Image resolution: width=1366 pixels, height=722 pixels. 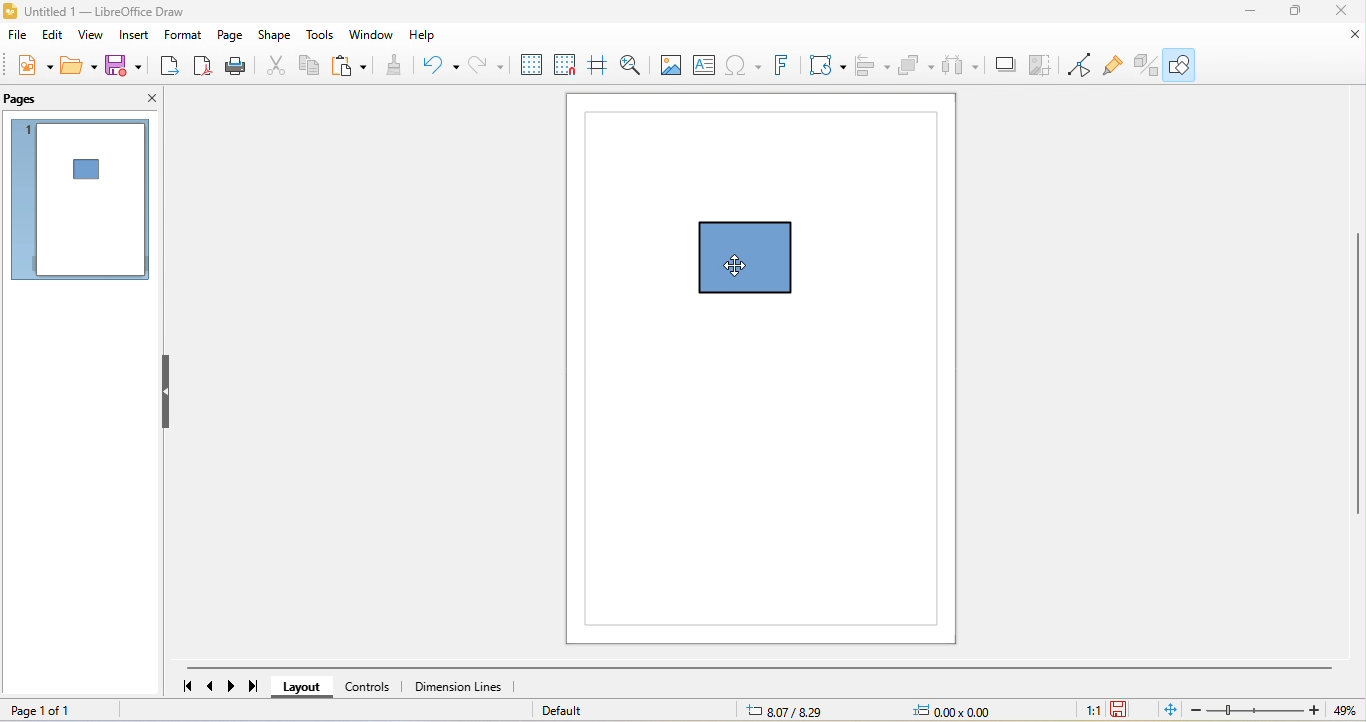 I want to click on show gluepoint function, so click(x=1114, y=65).